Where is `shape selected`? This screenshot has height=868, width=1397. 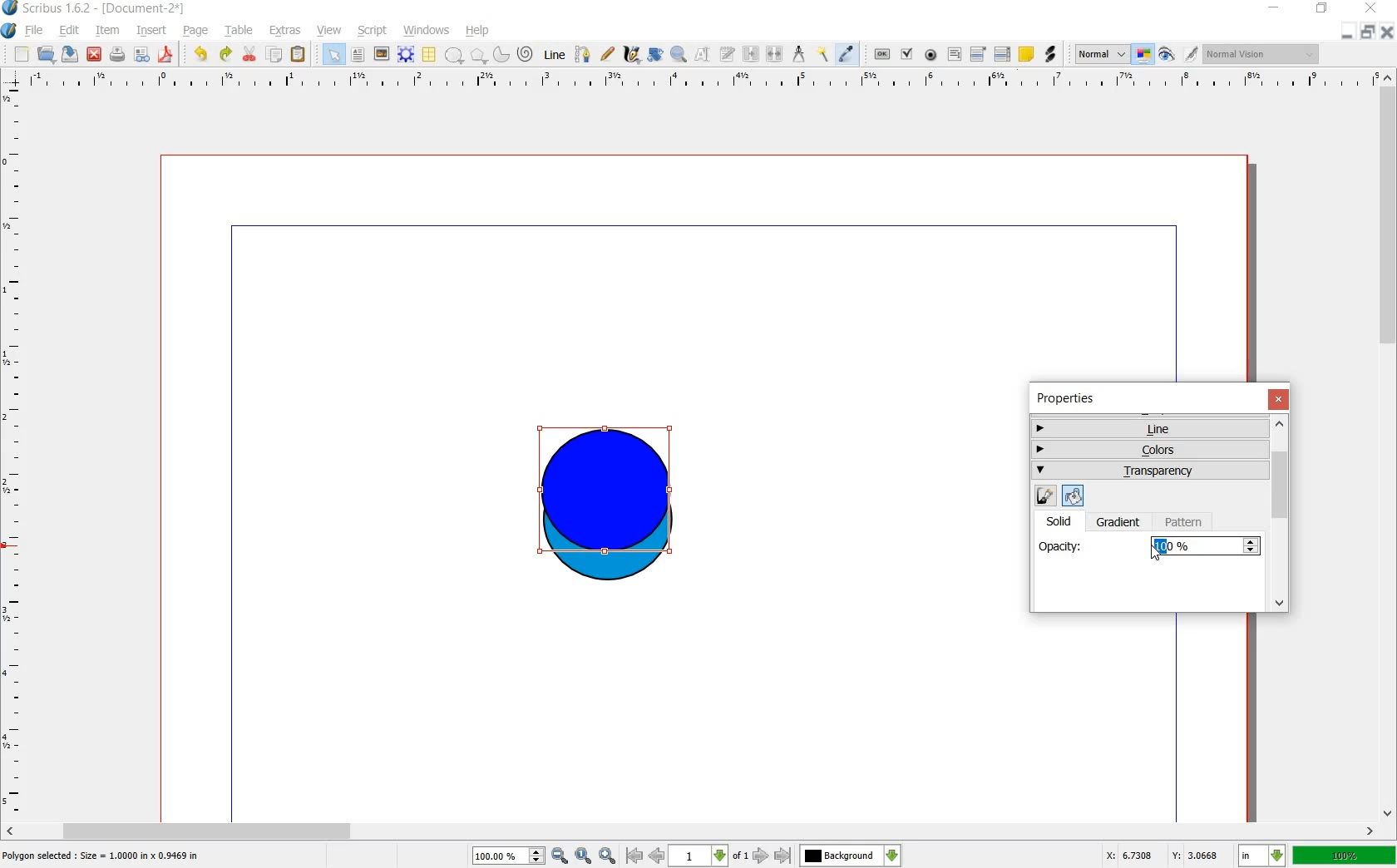
shape selected is located at coordinates (606, 494).